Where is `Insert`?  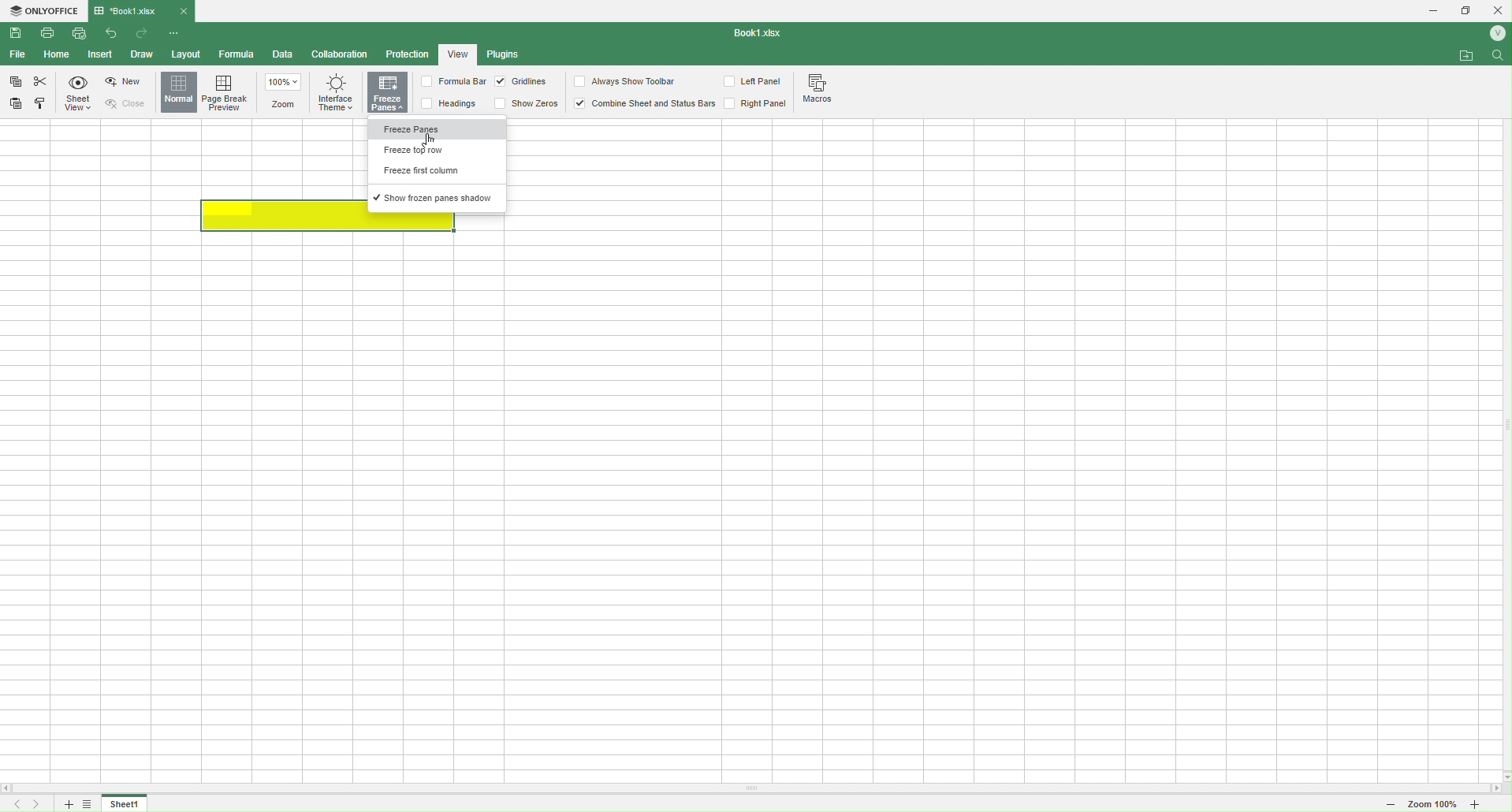
Insert is located at coordinates (99, 55).